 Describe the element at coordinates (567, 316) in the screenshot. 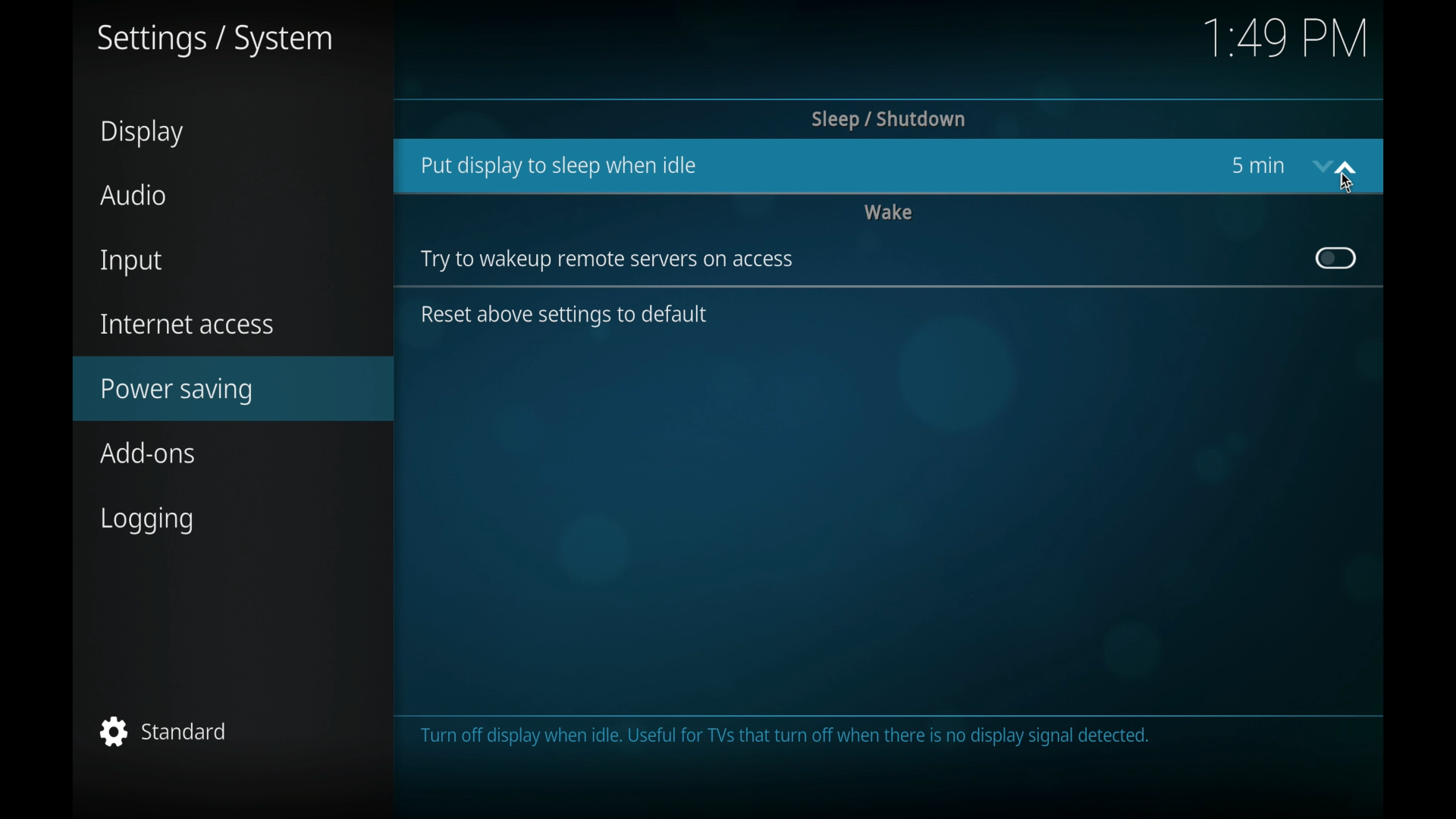

I see `reset above settings default` at that location.